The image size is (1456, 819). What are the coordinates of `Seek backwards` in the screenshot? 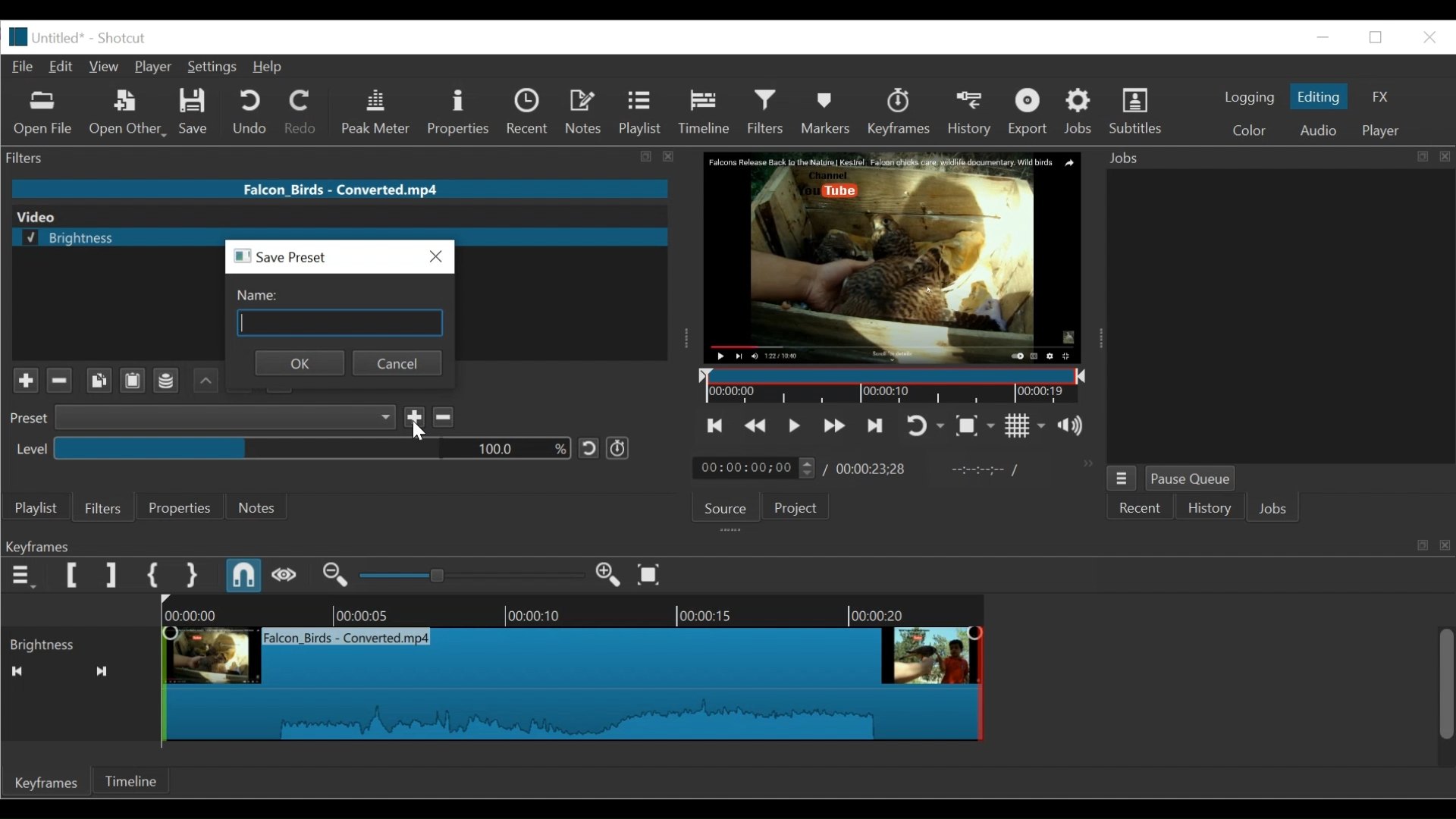 It's located at (16, 671).